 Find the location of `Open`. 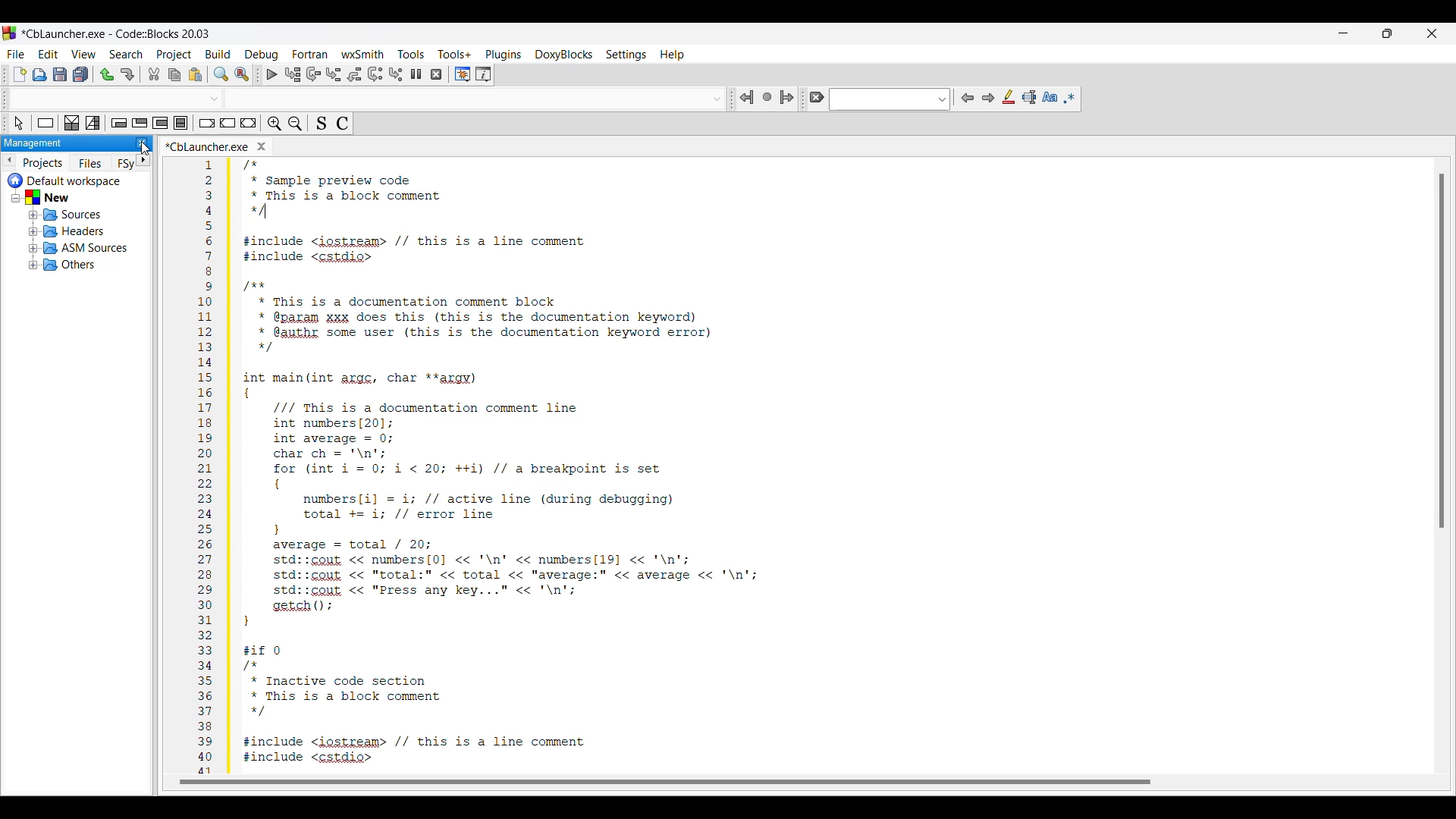

Open is located at coordinates (39, 74).